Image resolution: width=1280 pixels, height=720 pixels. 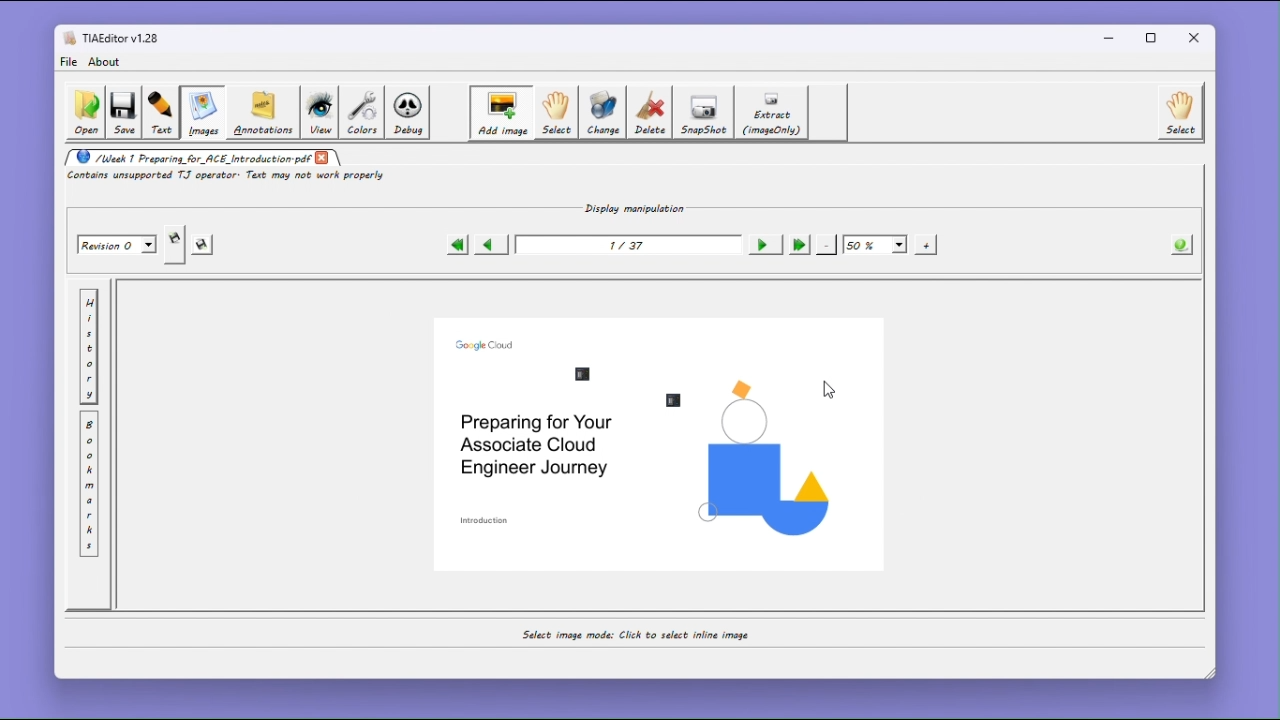 I want to click on Next page, so click(x=762, y=245).